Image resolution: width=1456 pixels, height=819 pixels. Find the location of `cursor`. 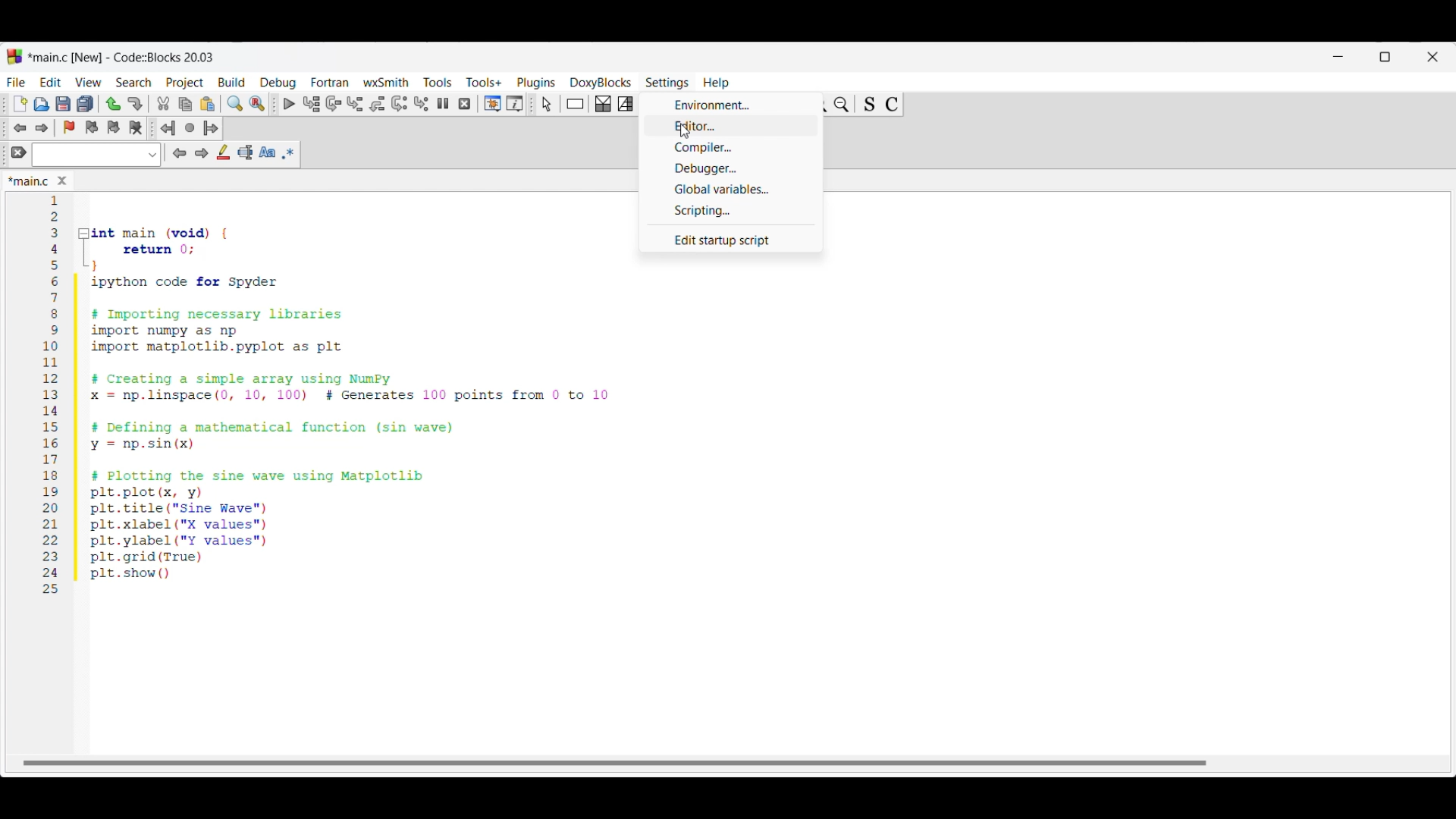

cursor is located at coordinates (681, 133).